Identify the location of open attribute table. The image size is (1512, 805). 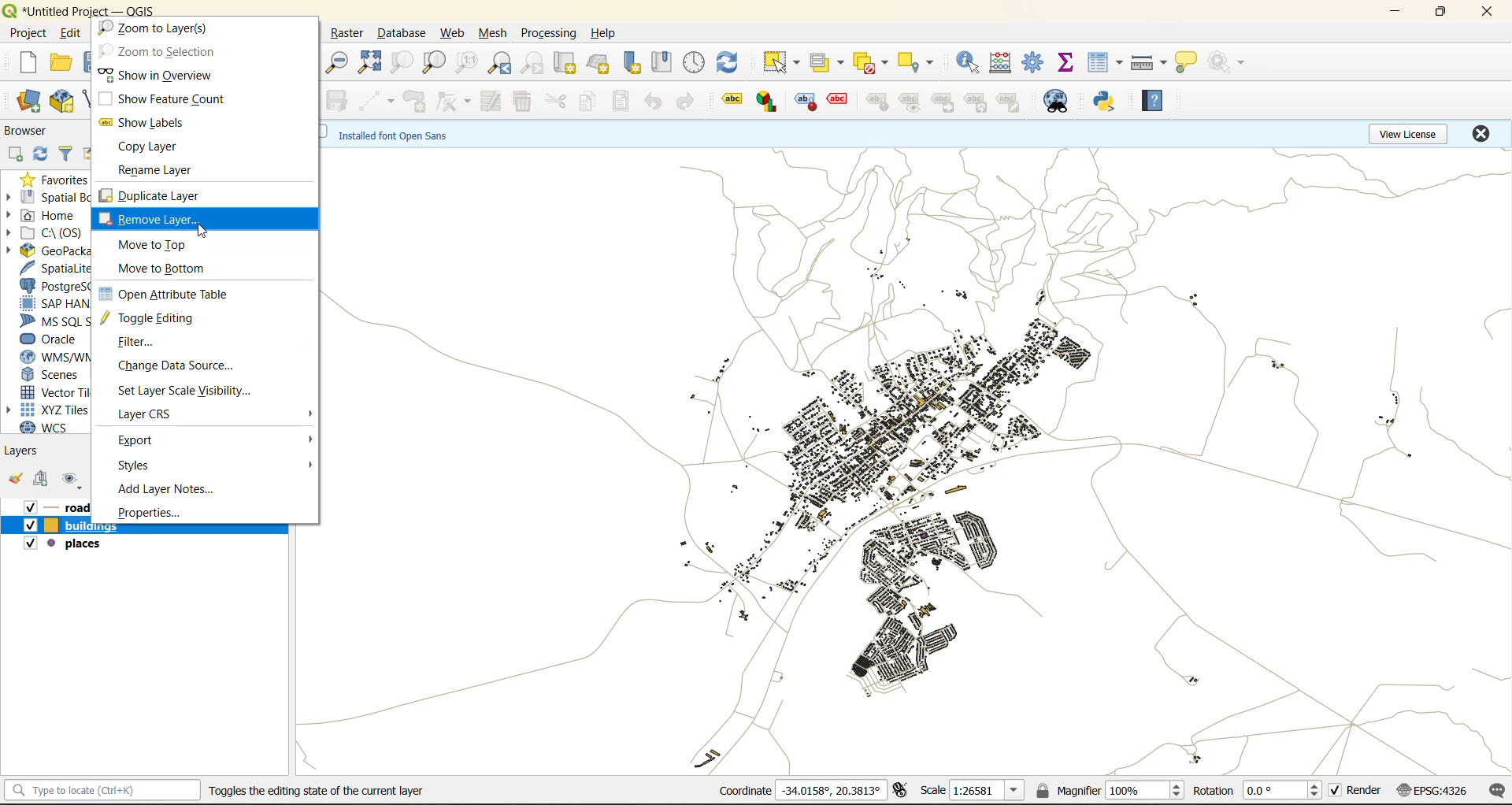
(180, 295).